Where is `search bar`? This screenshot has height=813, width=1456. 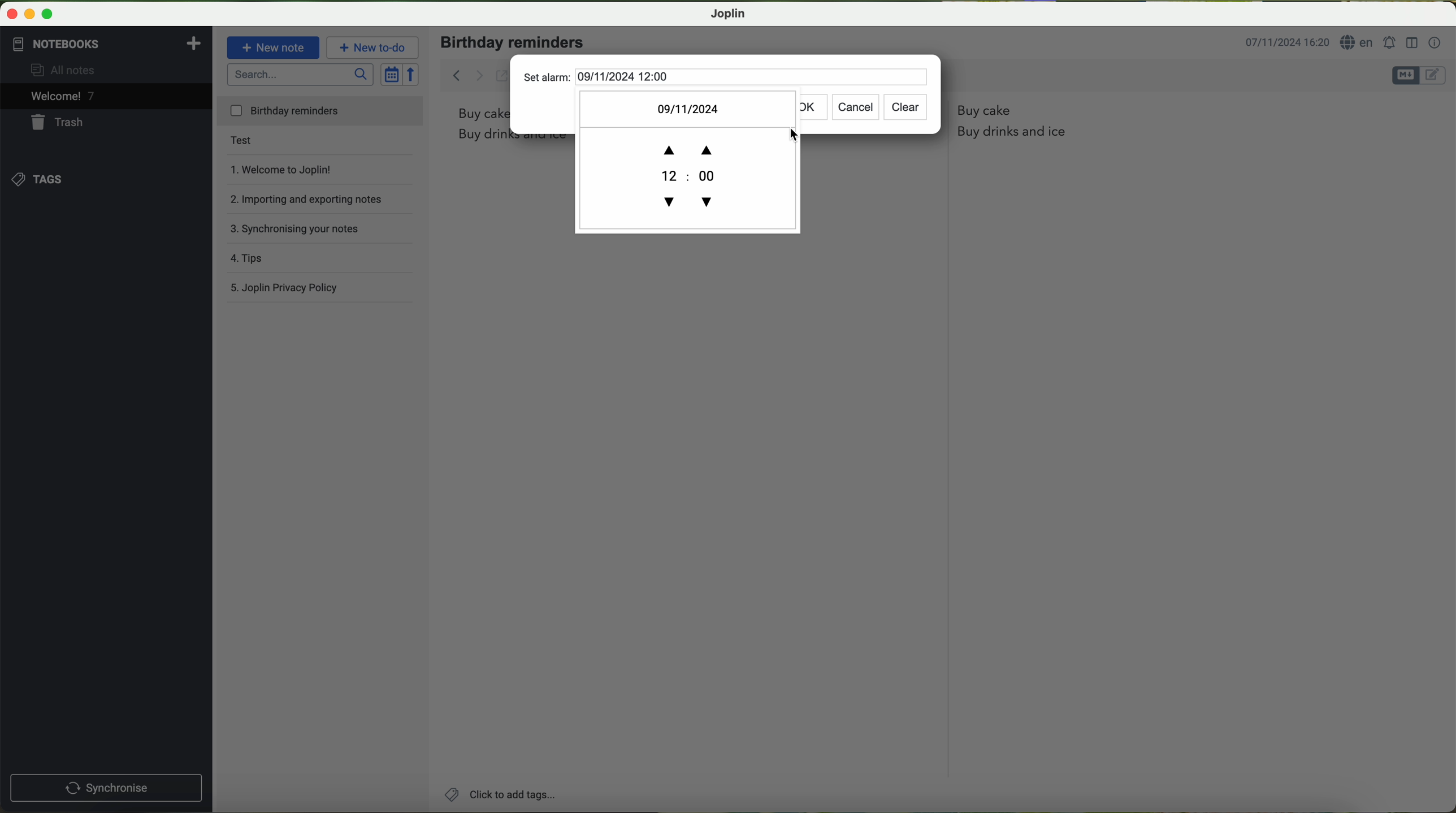 search bar is located at coordinates (300, 76).